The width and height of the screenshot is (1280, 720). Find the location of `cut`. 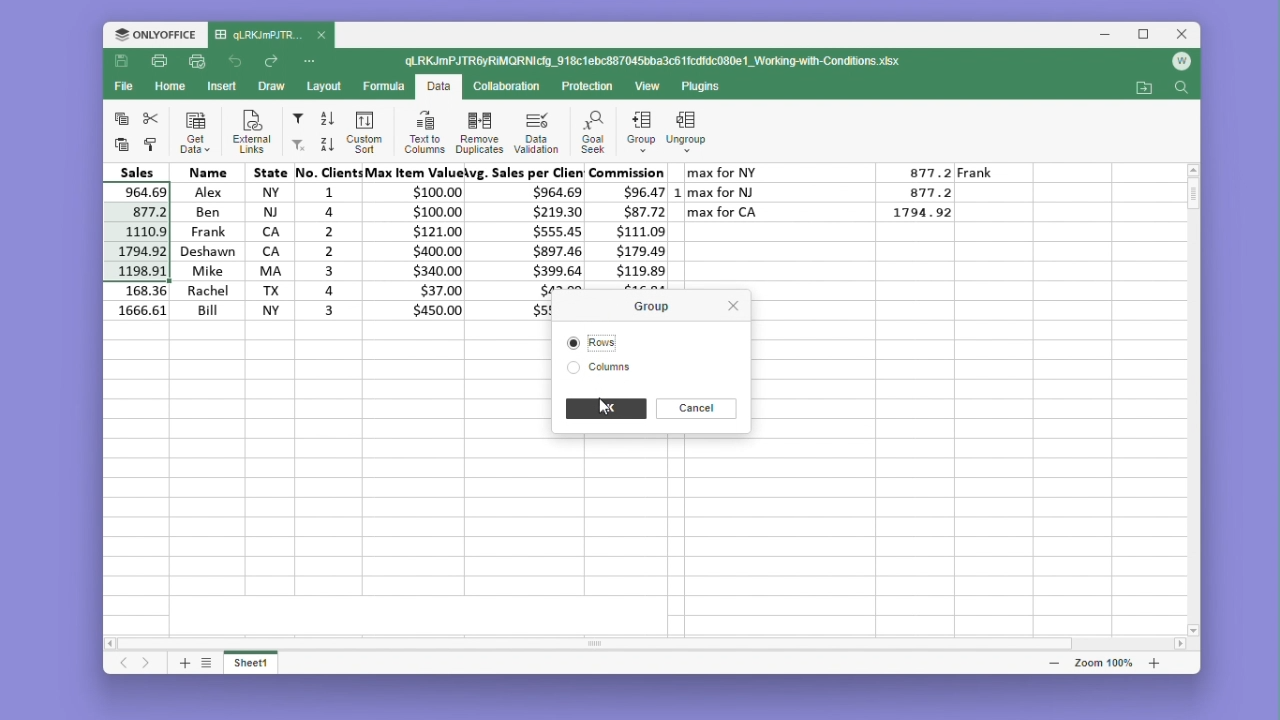

cut is located at coordinates (151, 118).